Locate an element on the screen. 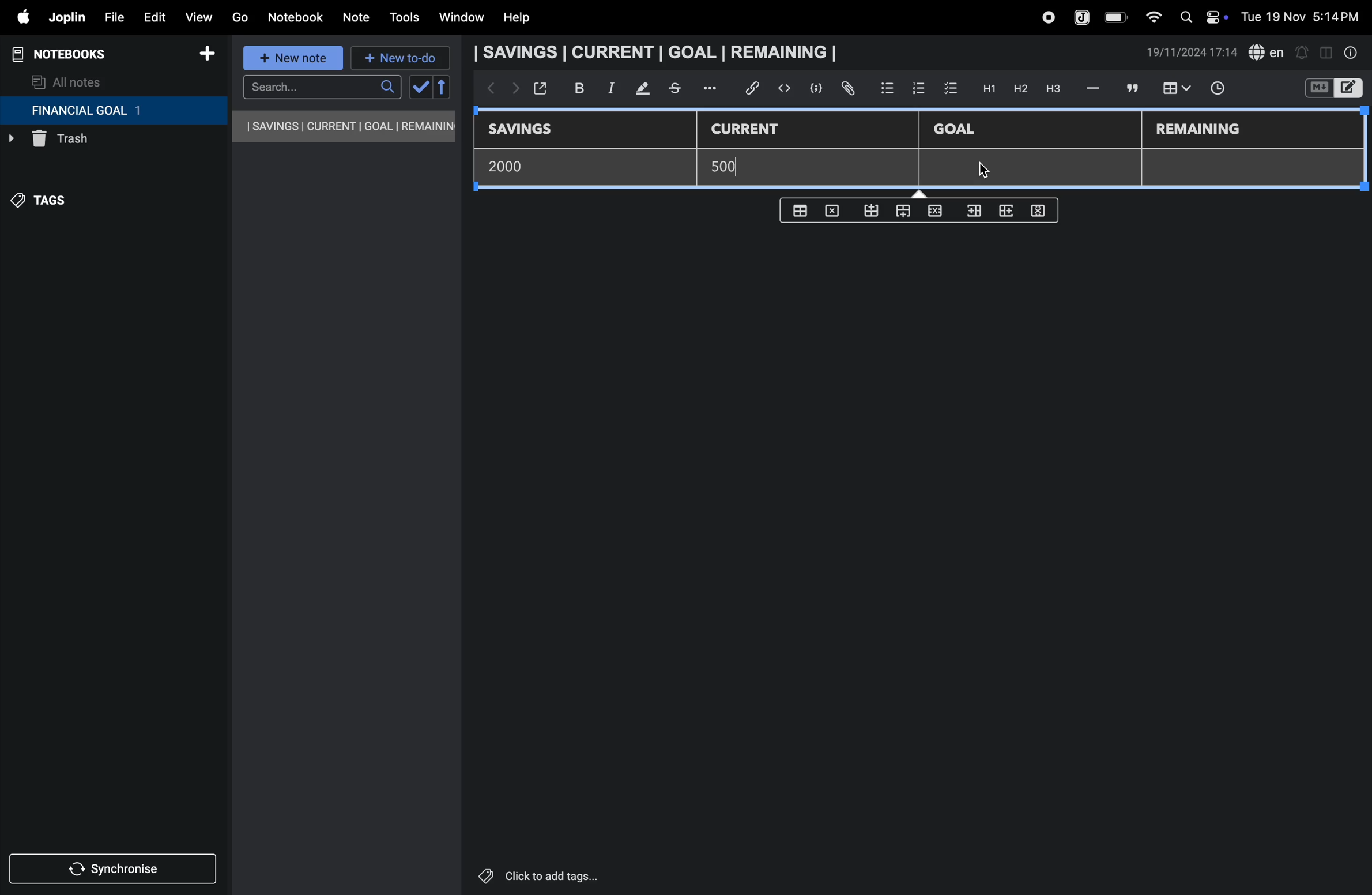 Image resolution: width=1372 pixels, height=895 pixels. all notes is located at coordinates (67, 81).